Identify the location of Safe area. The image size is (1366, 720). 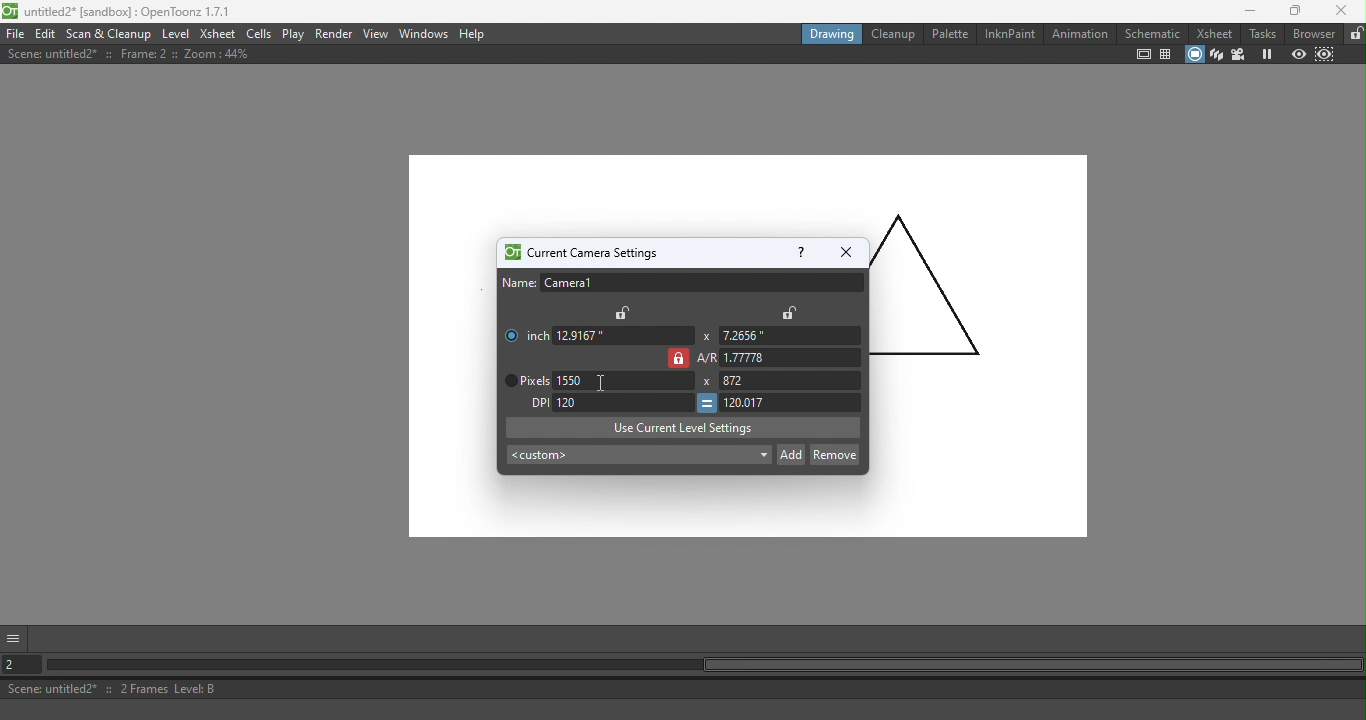
(1144, 55).